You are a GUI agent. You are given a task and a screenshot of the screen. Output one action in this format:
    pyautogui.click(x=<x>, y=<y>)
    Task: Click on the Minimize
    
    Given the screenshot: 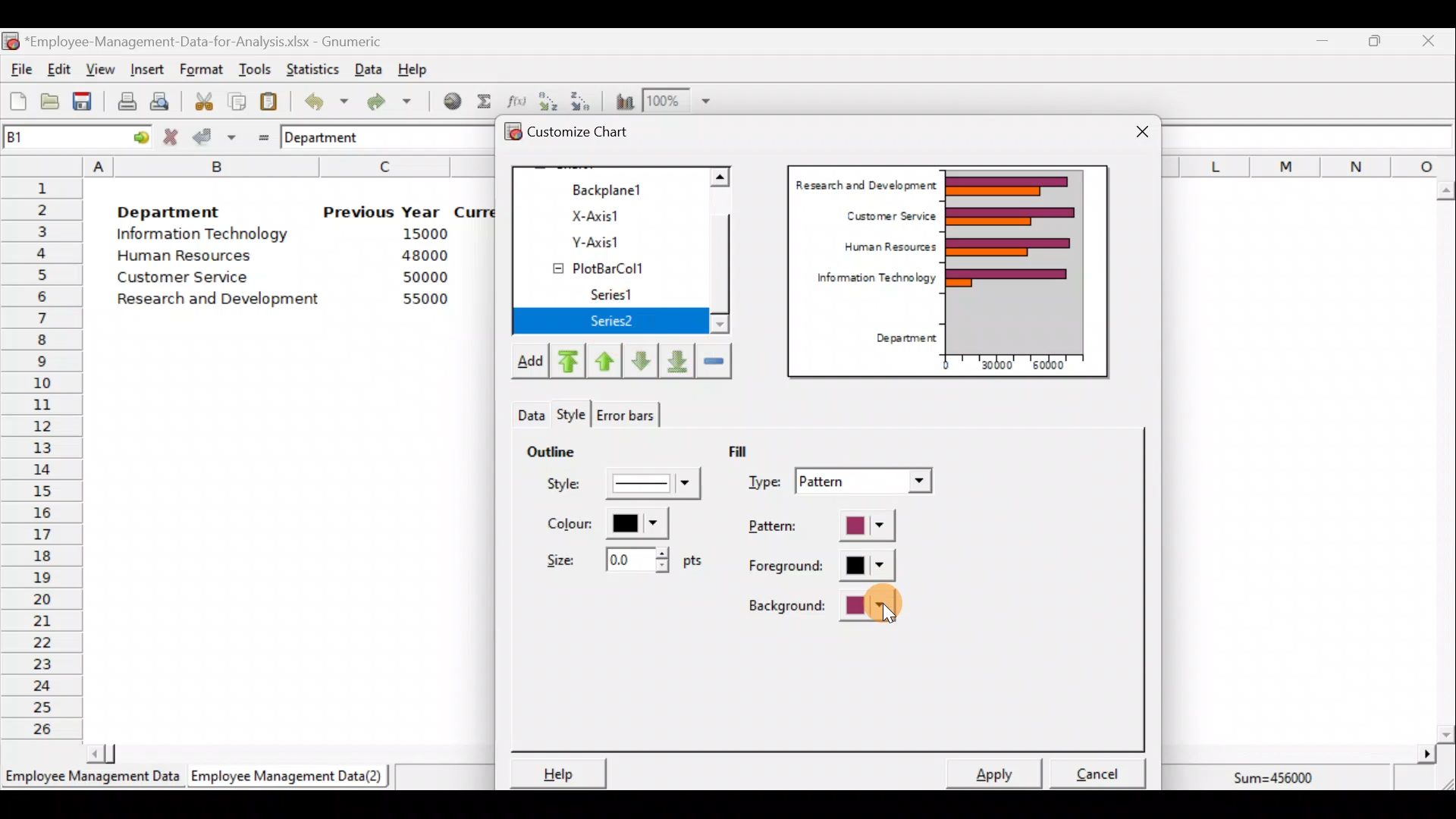 What is the action you would take?
    pyautogui.click(x=1319, y=44)
    